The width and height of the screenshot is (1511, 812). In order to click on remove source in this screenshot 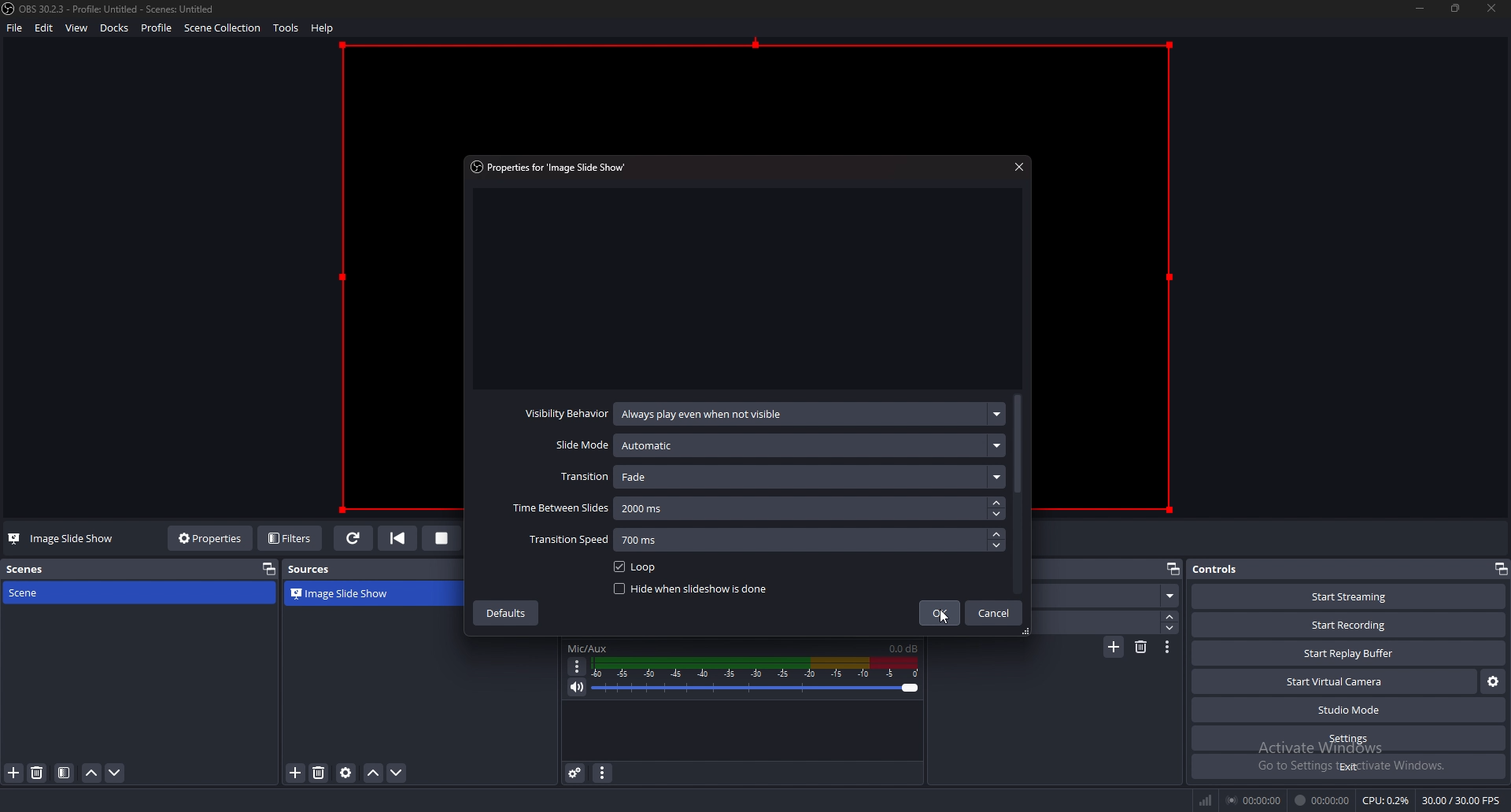, I will do `click(320, 773)`.